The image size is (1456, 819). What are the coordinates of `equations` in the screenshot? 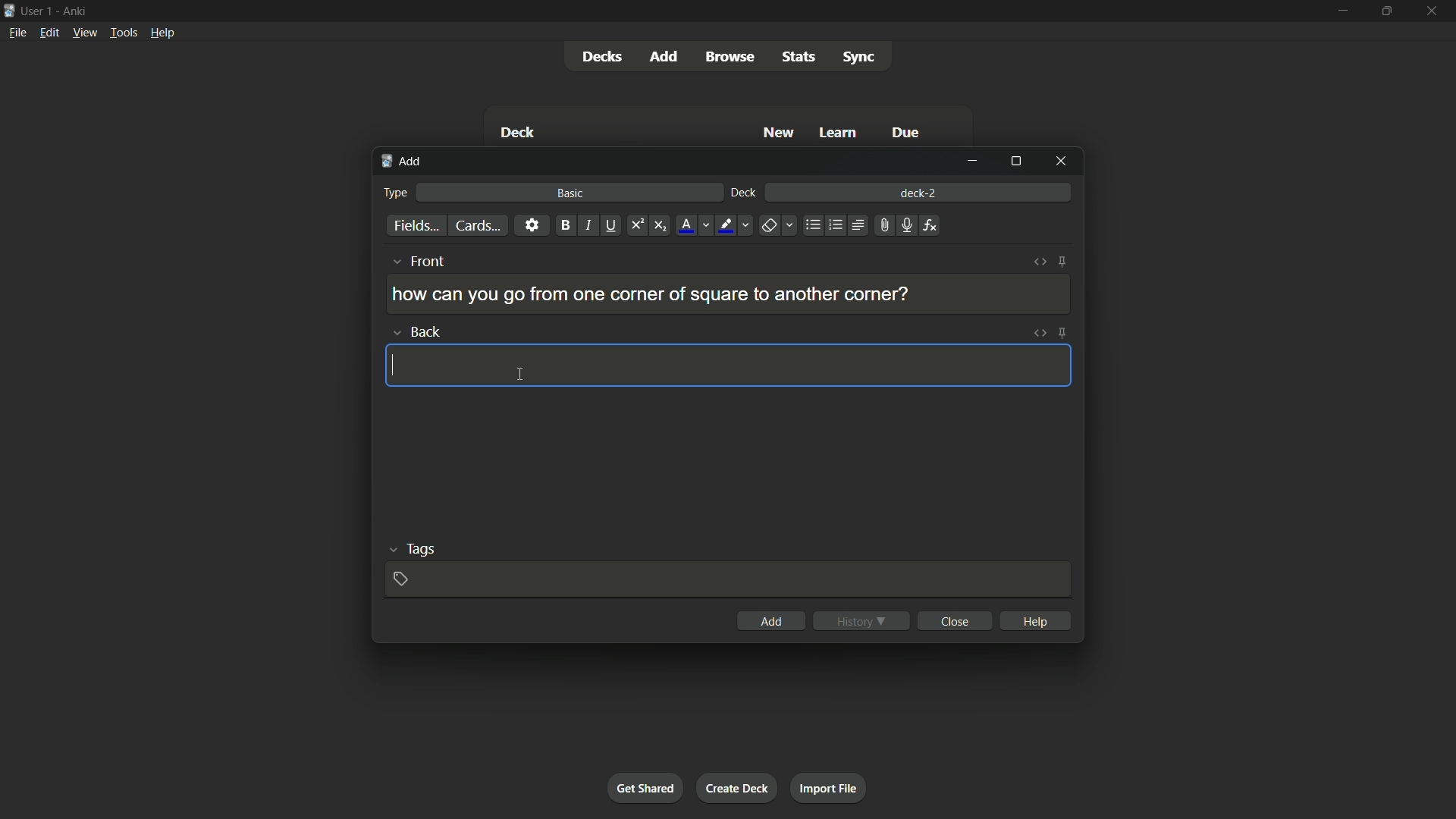 It's located at (932, 226).